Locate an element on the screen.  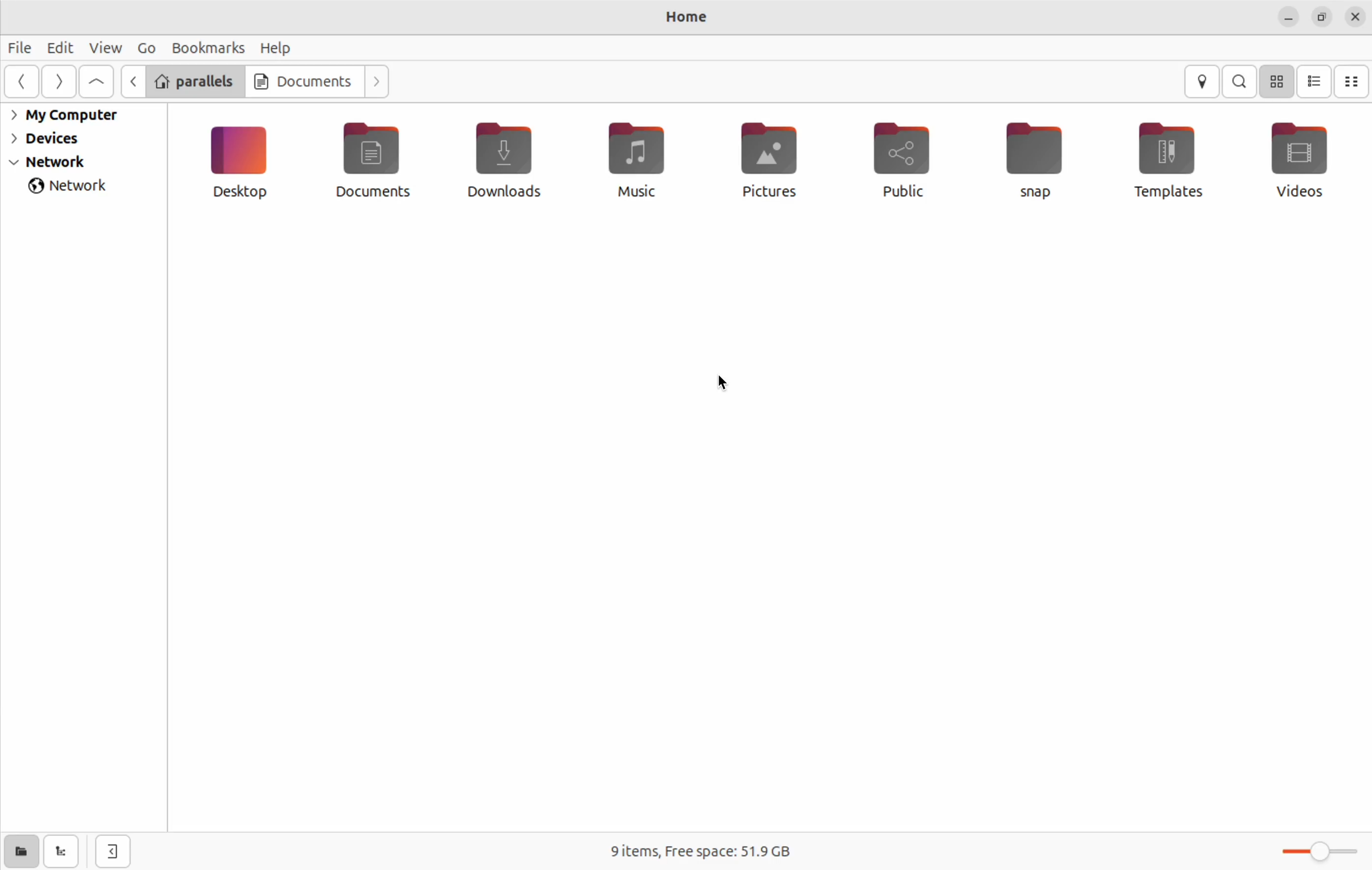
Documents is located at coordinates (304, 80).